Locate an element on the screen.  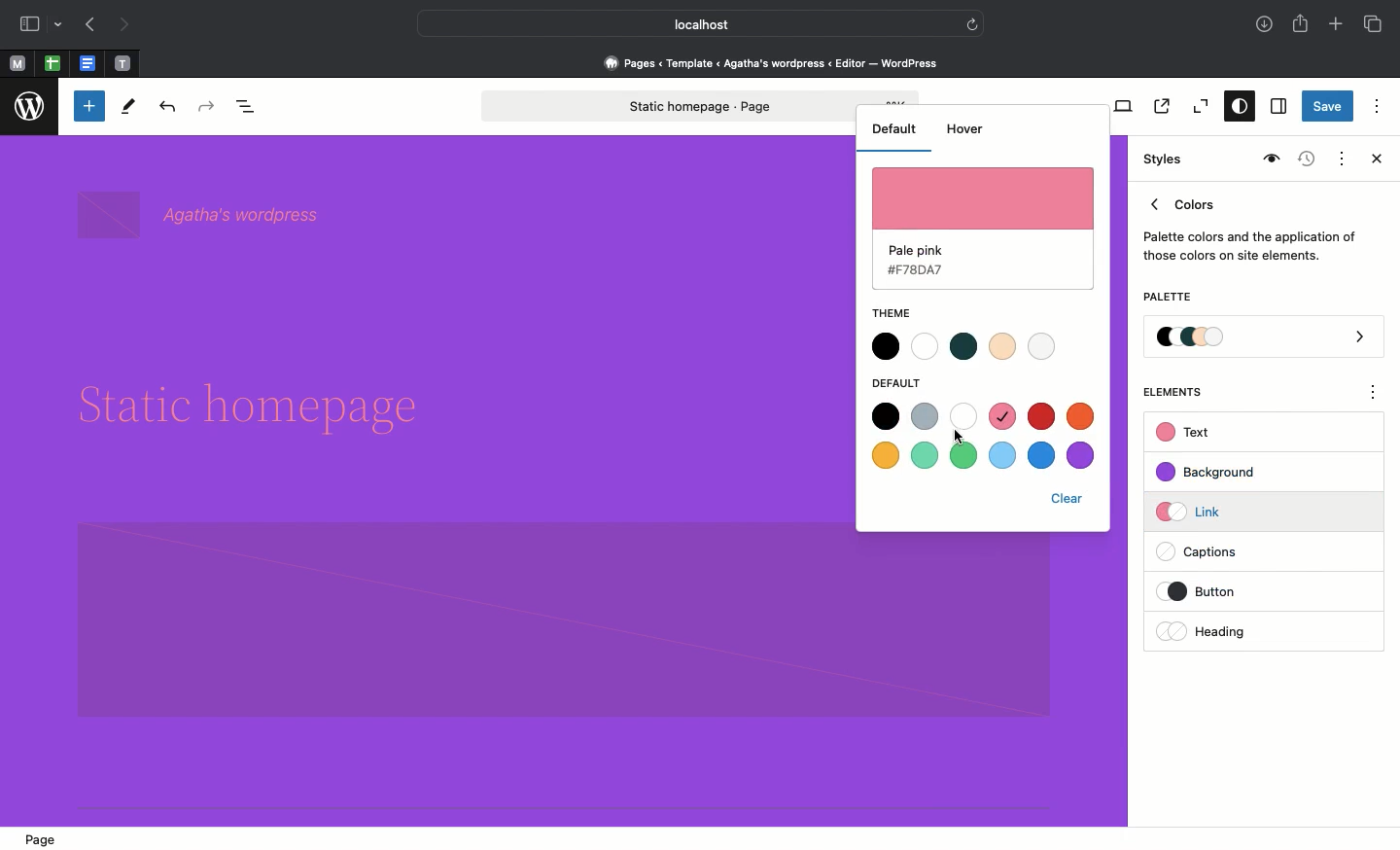
clear is located at coordinates (1067, 499).